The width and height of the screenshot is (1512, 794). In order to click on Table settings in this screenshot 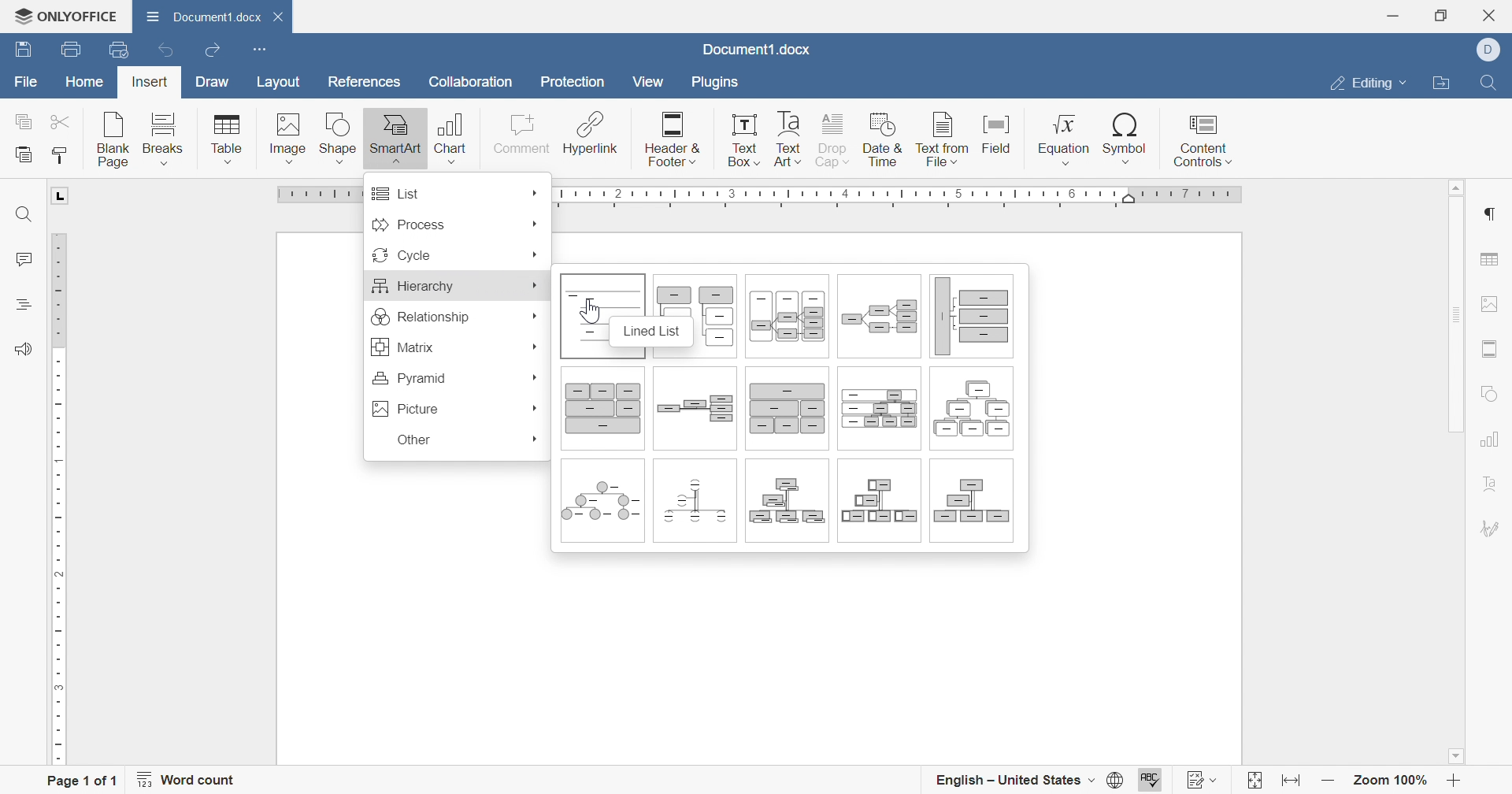, I will do `click(1492, 258)`.